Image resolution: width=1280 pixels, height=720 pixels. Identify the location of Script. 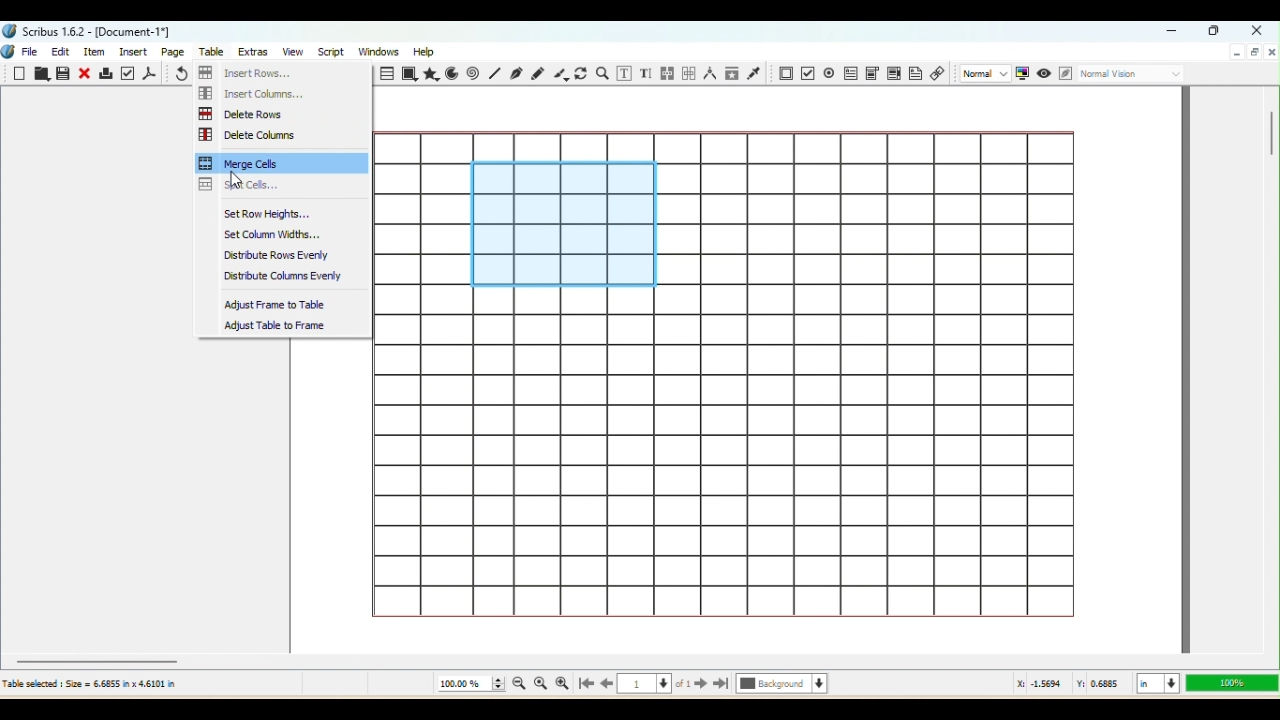
(330, 52).